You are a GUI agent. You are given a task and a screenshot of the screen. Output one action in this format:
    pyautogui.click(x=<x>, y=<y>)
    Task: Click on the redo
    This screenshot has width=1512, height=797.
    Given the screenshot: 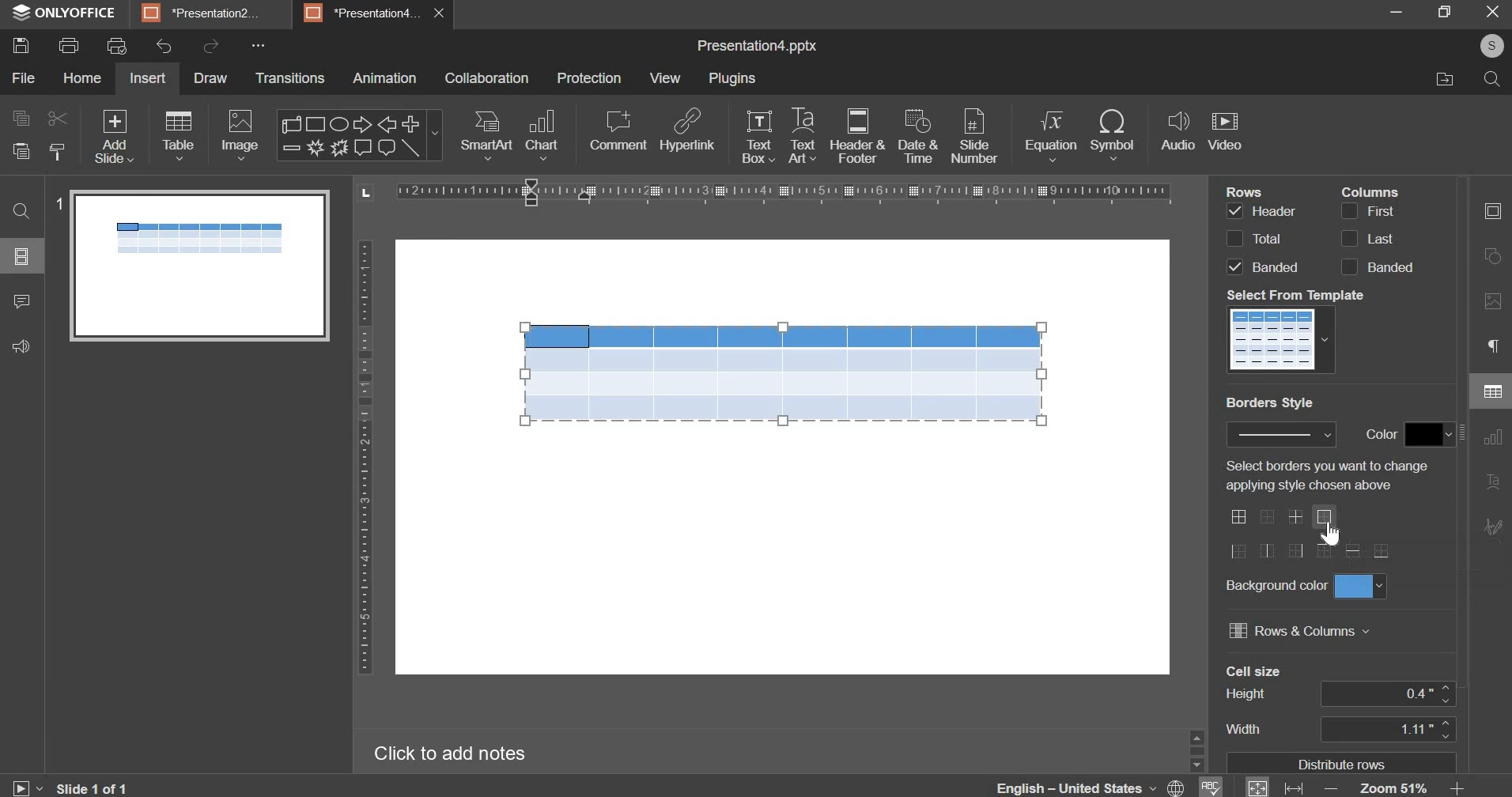 What is the action you would take?
    pyautogui.click(x=210, y=47)
    